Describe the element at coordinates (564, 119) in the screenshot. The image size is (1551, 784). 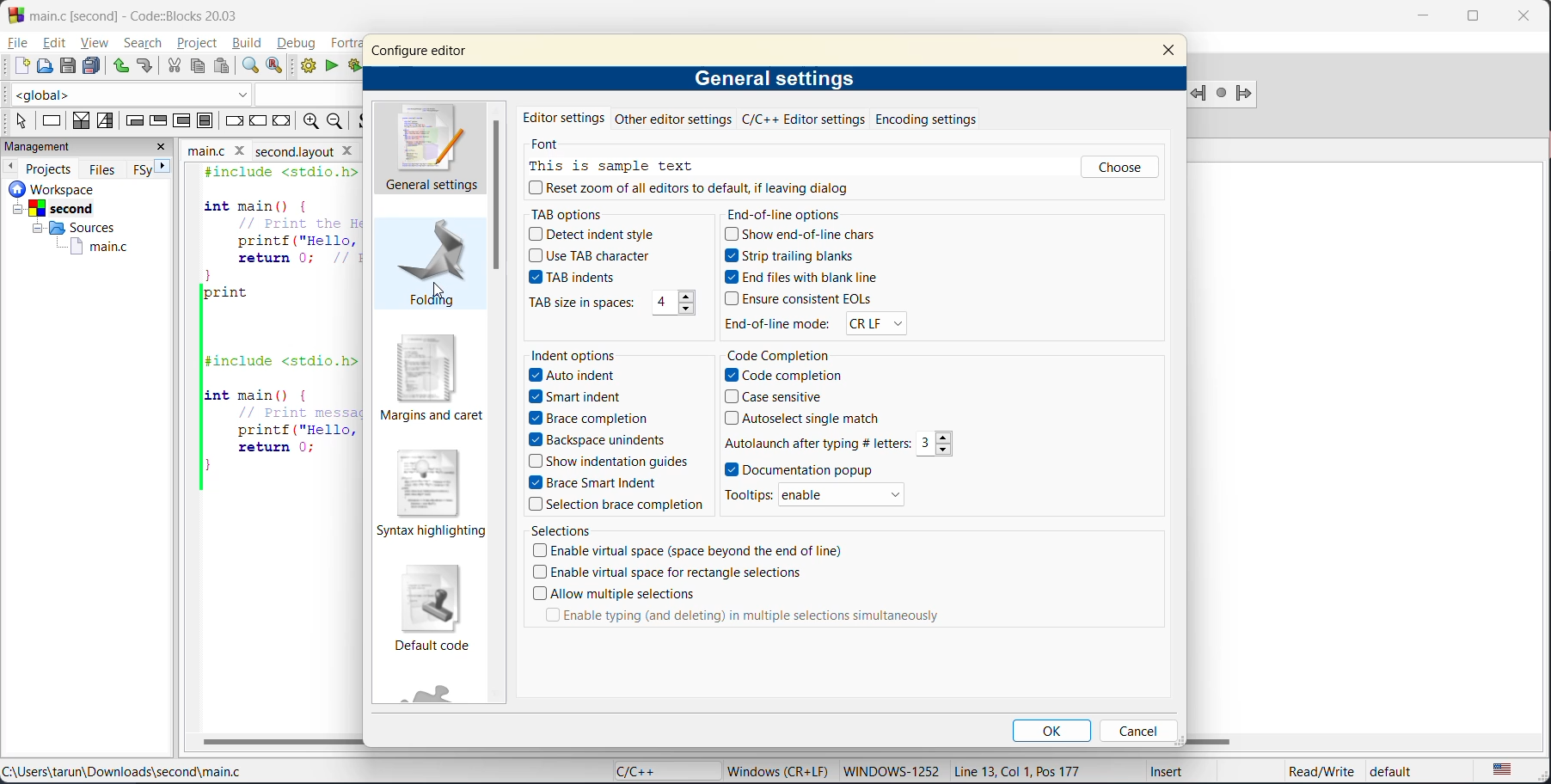
I see `editor settings` at that location.